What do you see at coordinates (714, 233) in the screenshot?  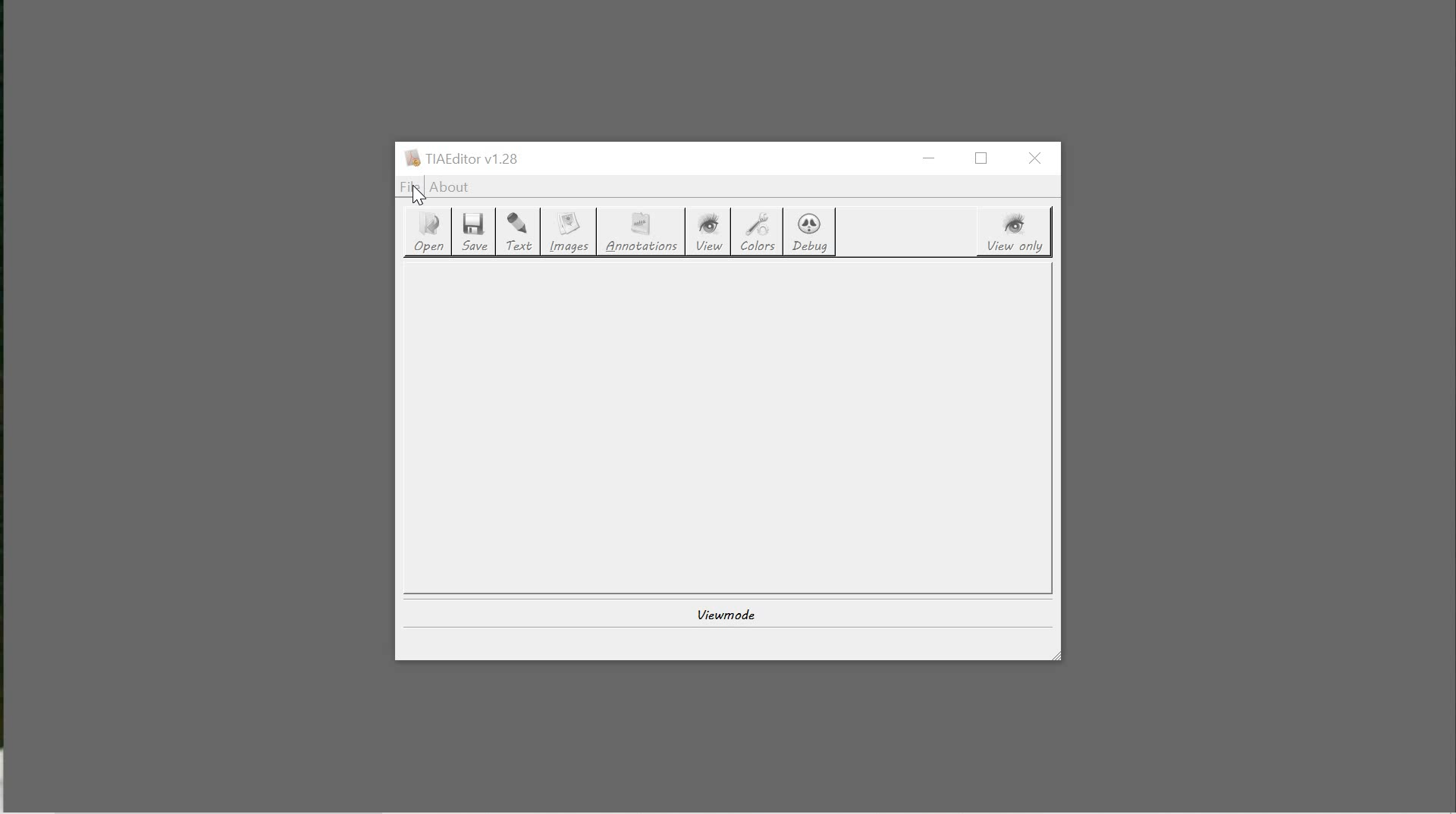 I see `view` at bounding box center [714, 233].